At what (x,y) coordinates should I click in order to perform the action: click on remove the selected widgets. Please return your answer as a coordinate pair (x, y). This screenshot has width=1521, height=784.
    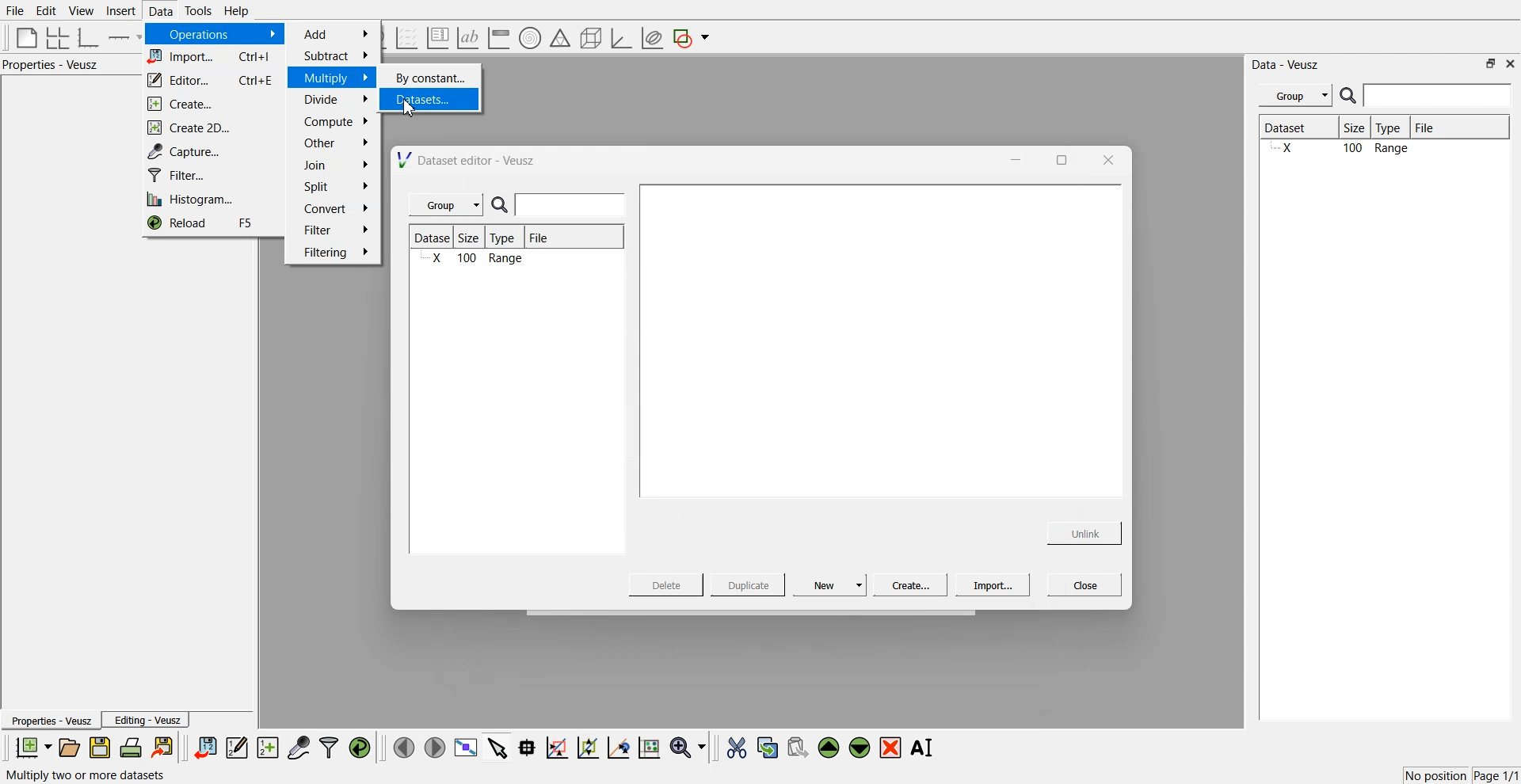
    Looking at the image, I should click on (892, 748).